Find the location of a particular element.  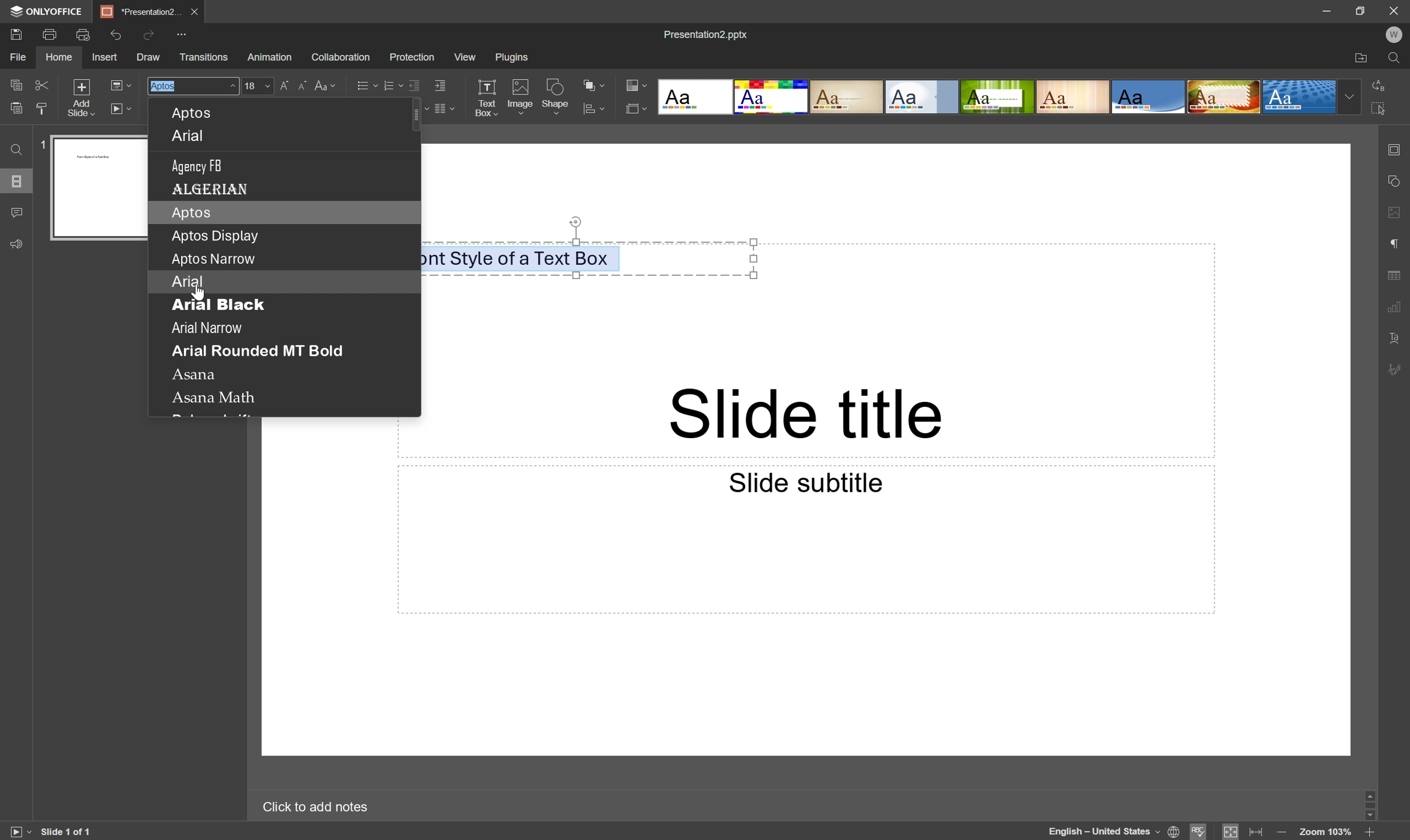

*Presentation2... is located at coordinates (141, 11).